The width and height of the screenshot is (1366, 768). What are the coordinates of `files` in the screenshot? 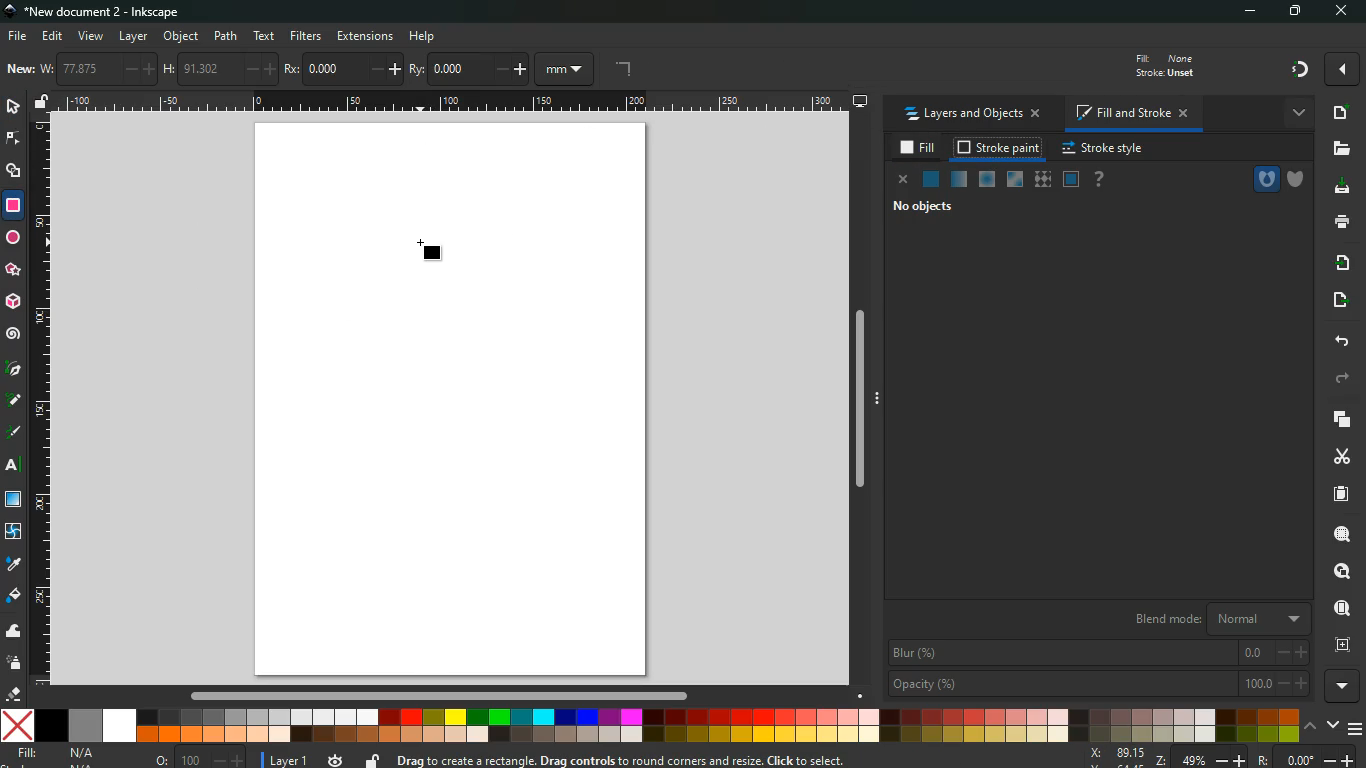 It's located at (1337, 151).